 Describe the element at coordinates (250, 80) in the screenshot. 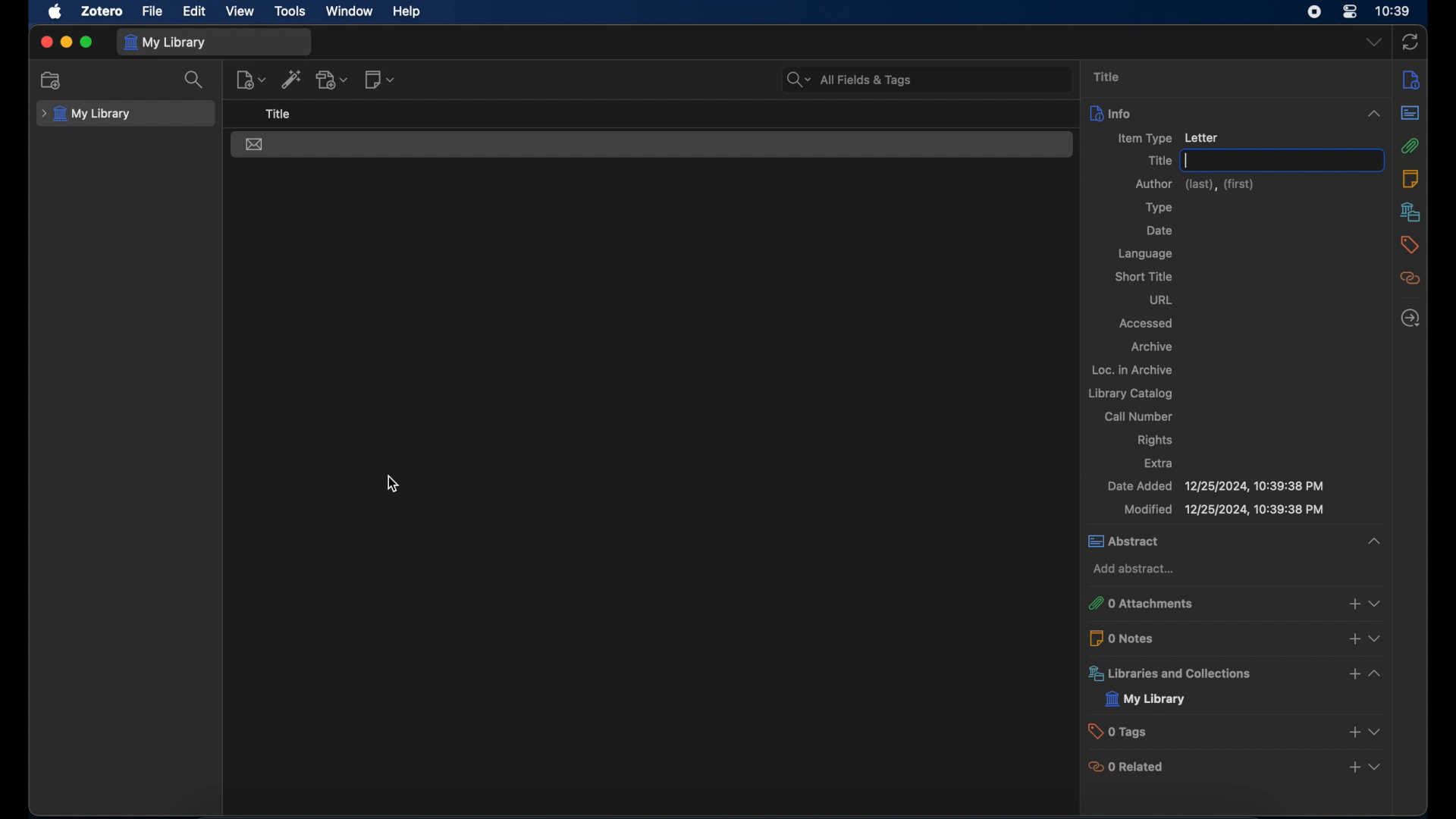

I see `new item` at that location.